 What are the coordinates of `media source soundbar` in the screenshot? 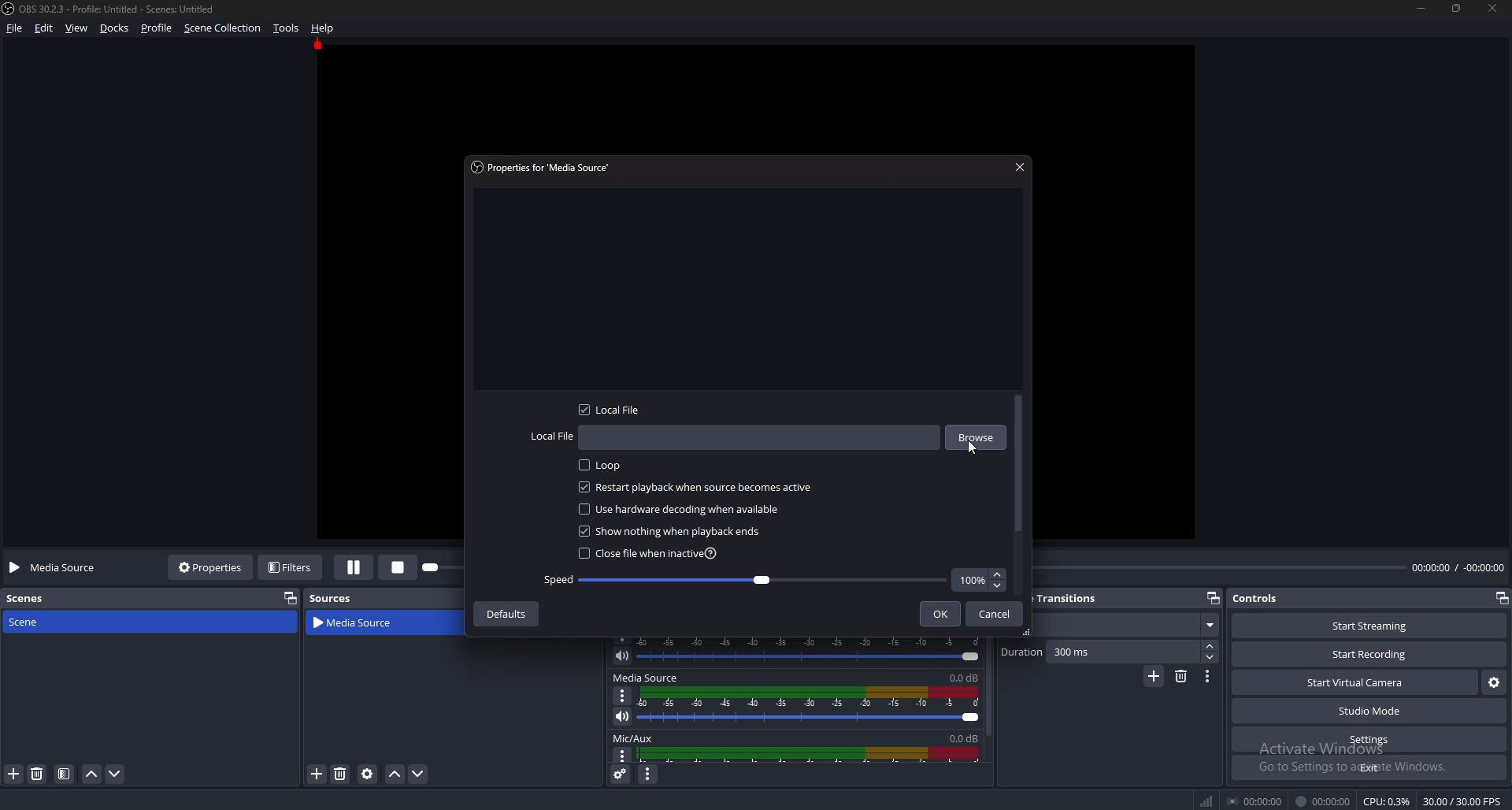 It's located at (814, 705).